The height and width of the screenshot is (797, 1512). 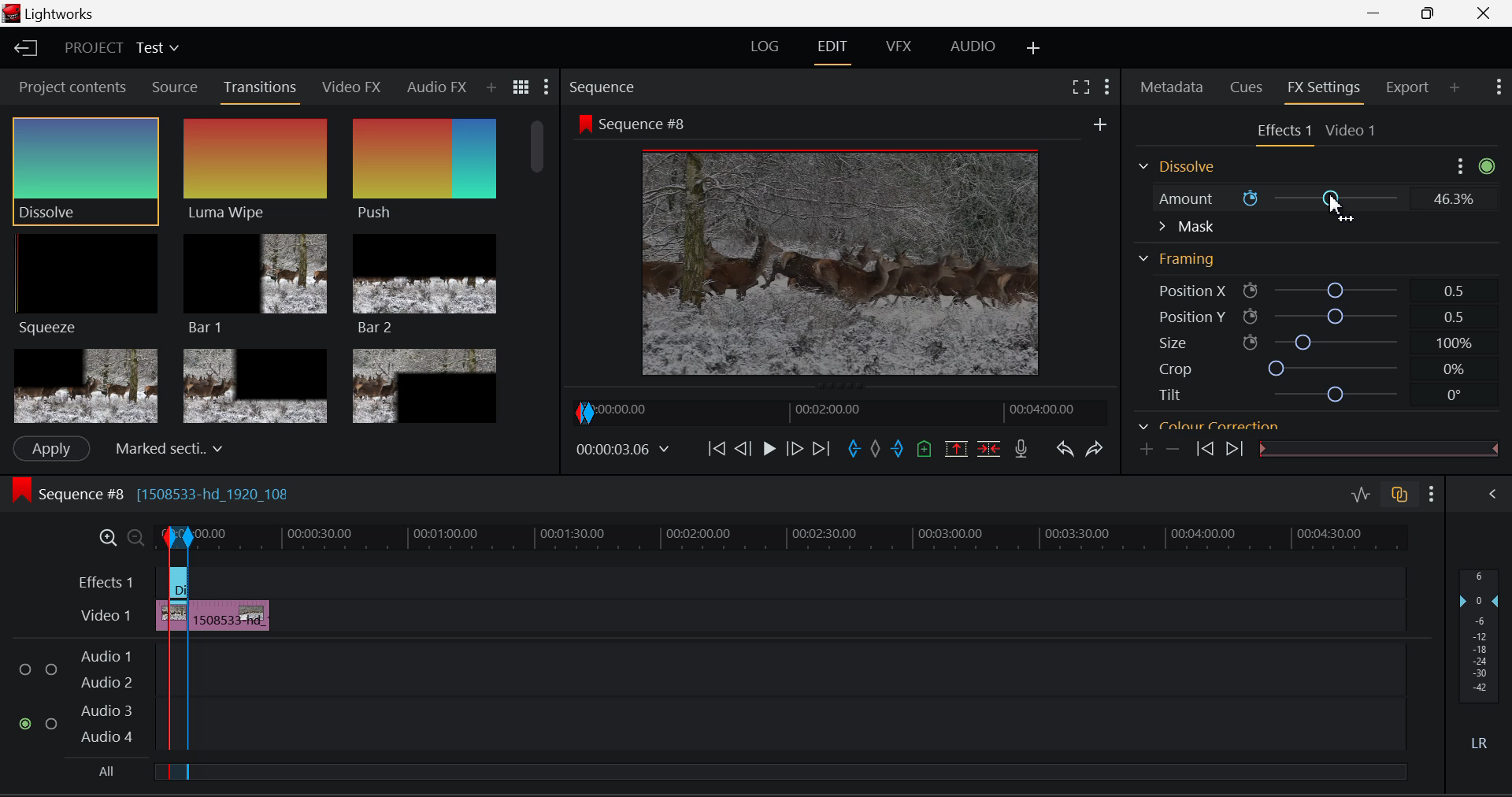 What do you see at coordinates (1402, 496) in the screenshot?
I see `Toggle Audio Track Sync` at bounding box center [1402, 496].